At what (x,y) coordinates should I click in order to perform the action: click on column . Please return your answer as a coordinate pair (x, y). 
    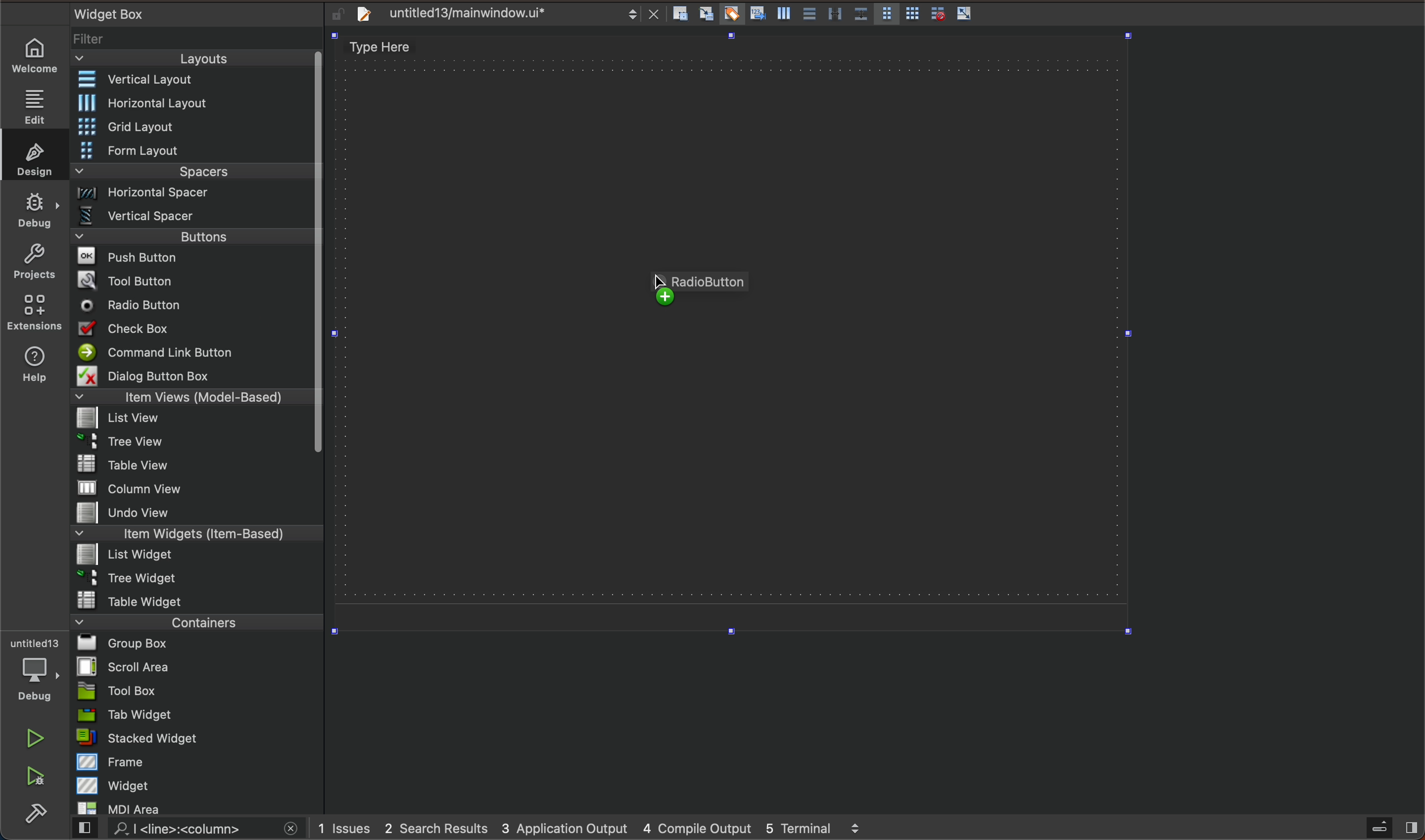
    Looking at the image, I should click on (198, 487).